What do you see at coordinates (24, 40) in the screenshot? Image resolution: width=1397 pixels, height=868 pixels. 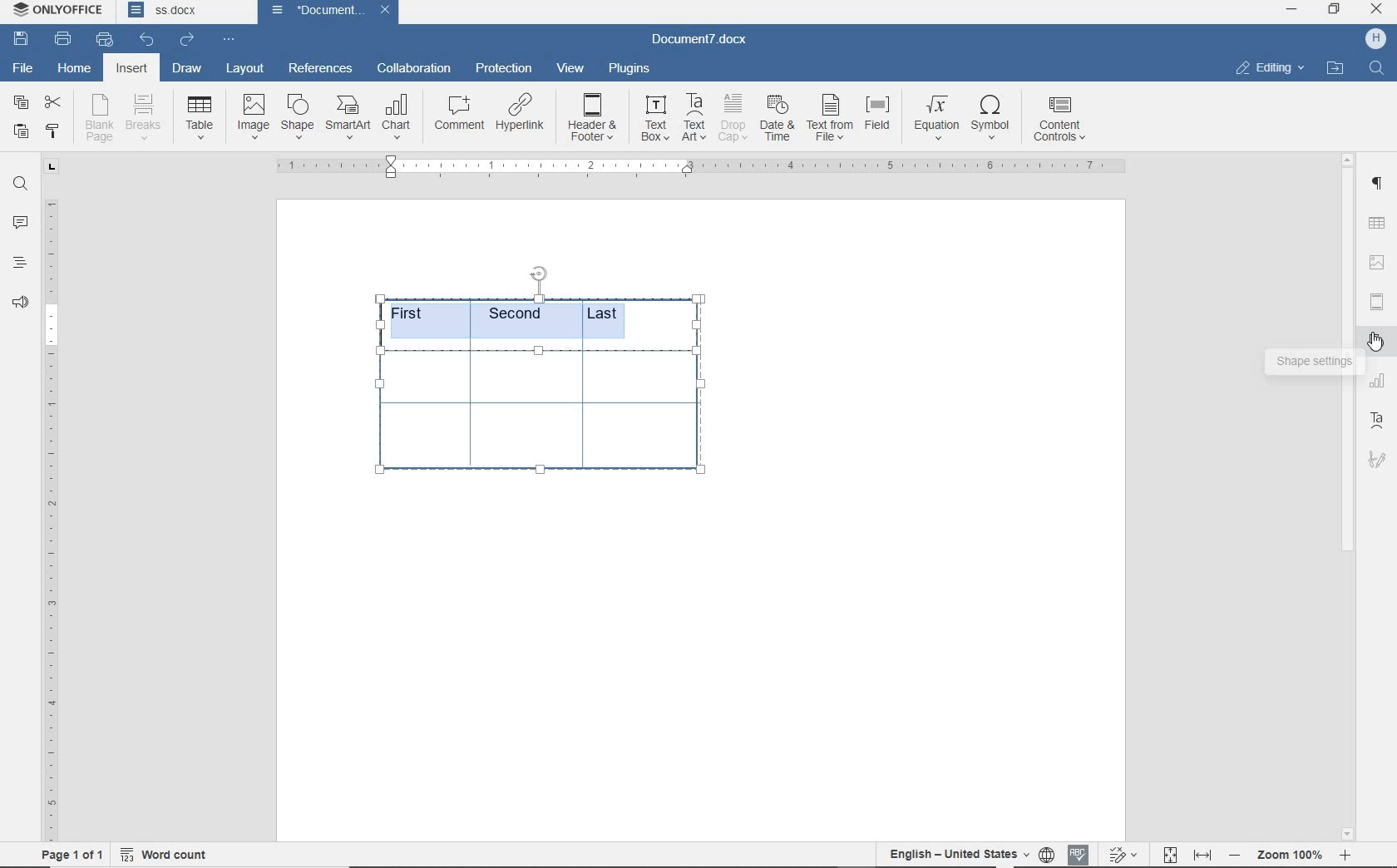 I see `save` at bounding box center [24, 40].